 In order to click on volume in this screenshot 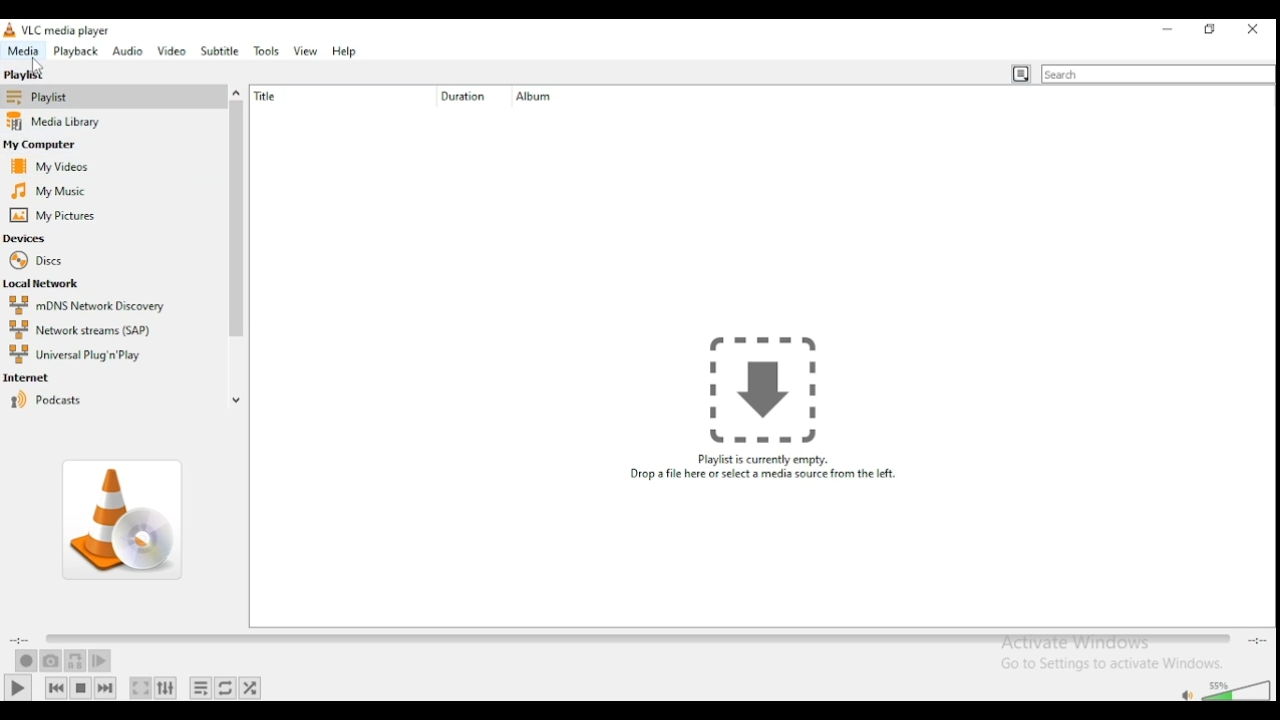, I will do `click(1238, 691)`.